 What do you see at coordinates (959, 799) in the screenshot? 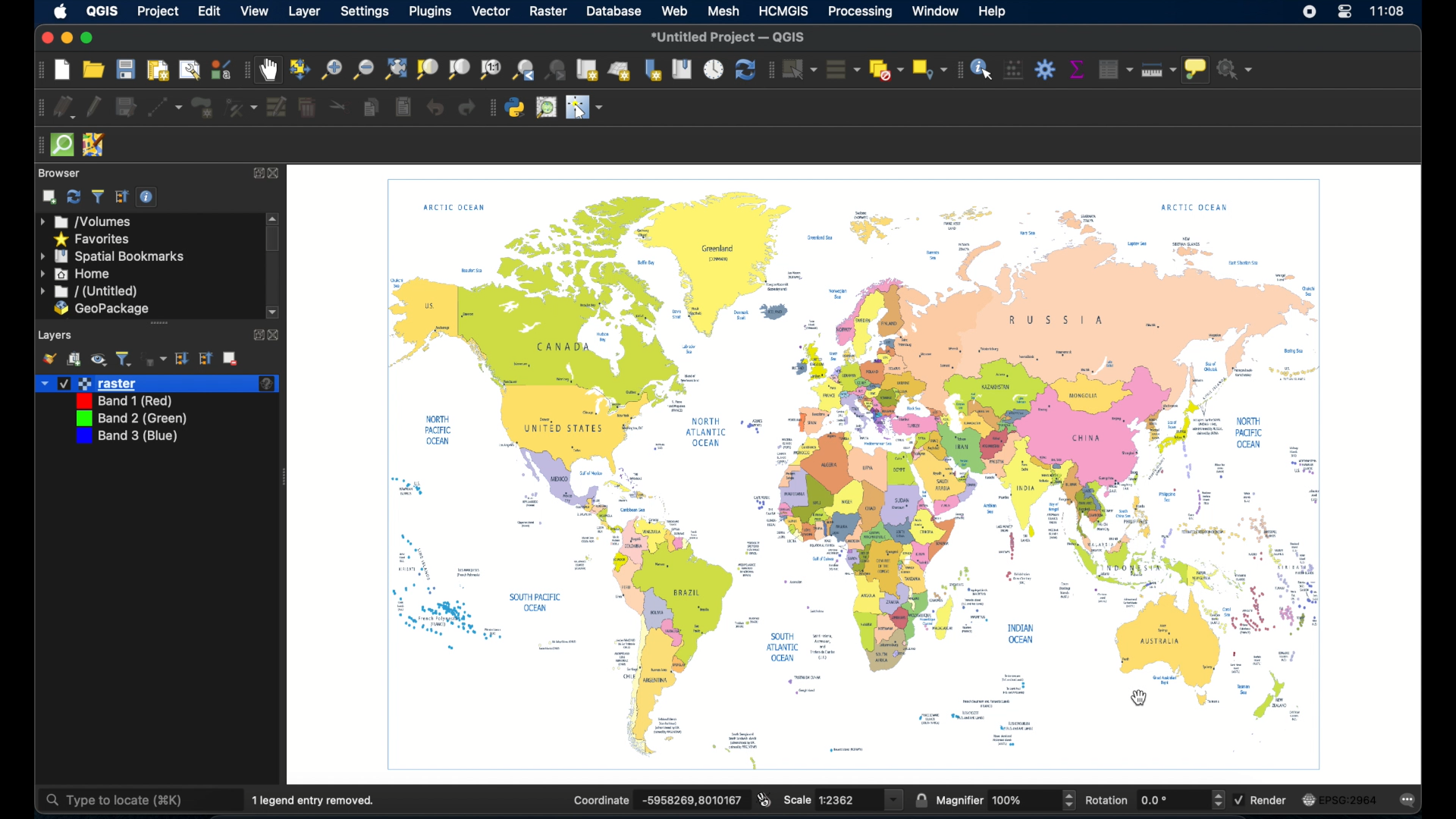
I see `magnifier` at bounding box center [959, 799].